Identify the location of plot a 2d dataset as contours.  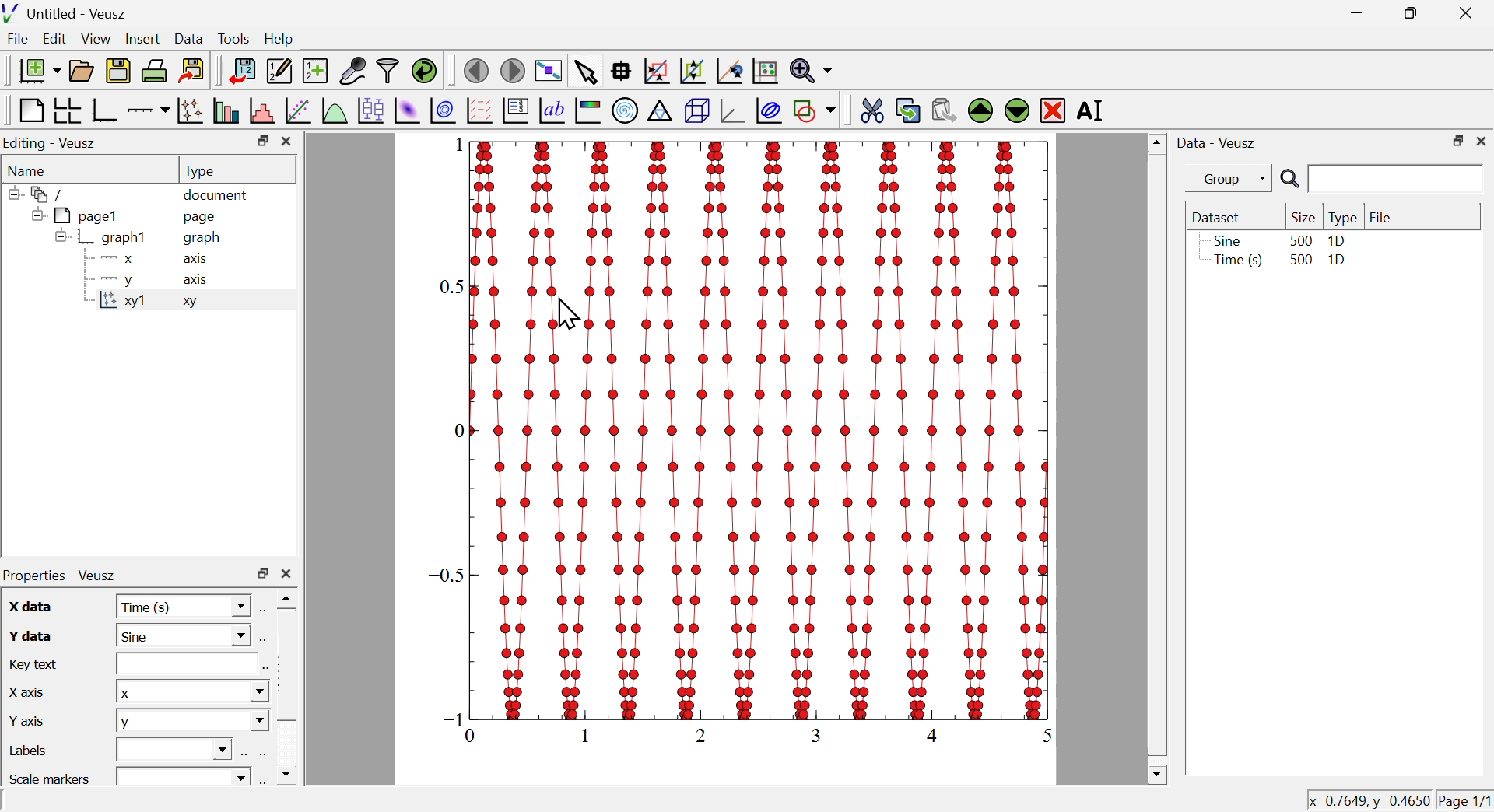
(443, 110).